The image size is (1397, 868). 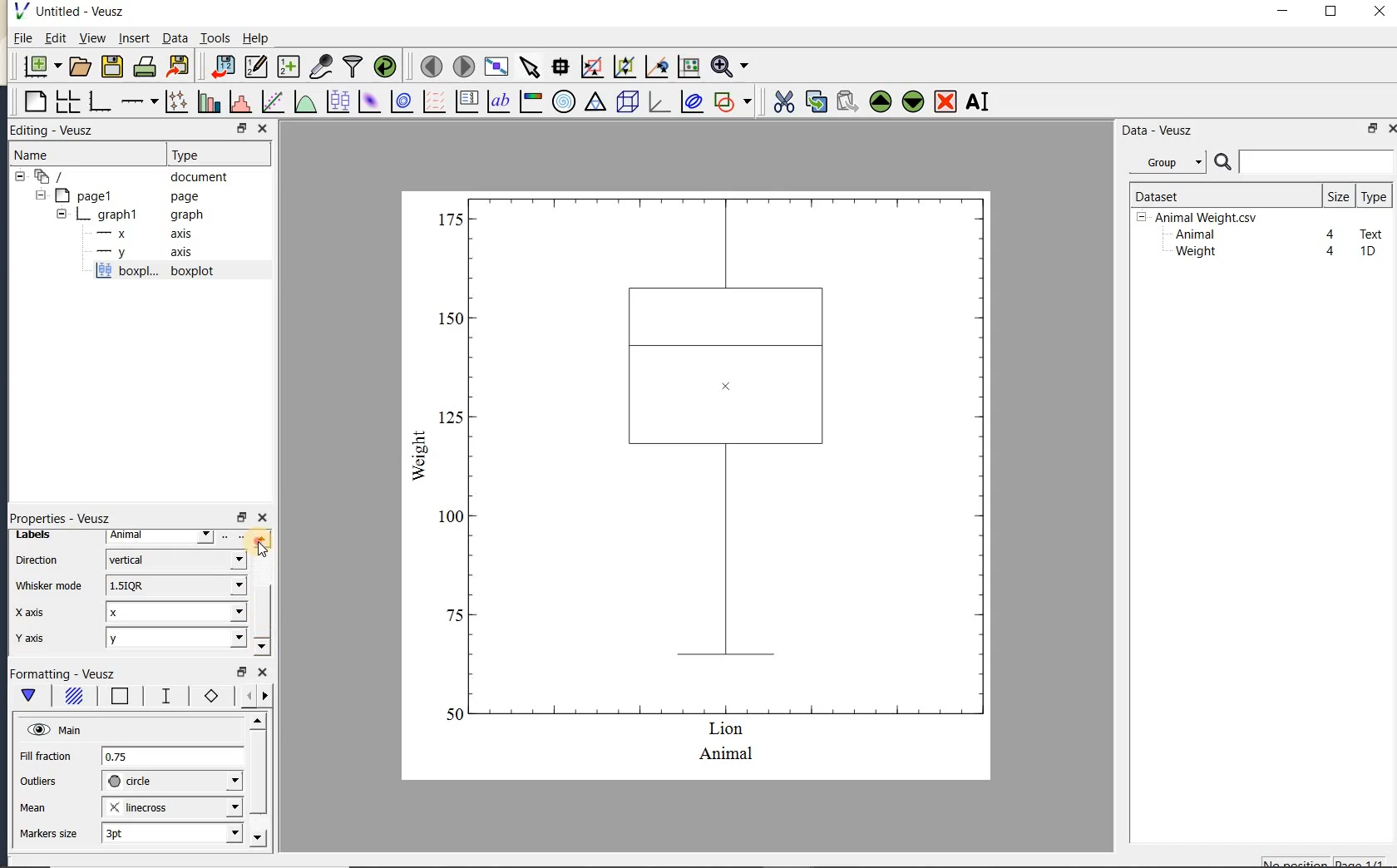 What do you see at coordinates (239, 101) in the screenshot?
I see `histogram of a dataset` at bounding box center [239, 101].